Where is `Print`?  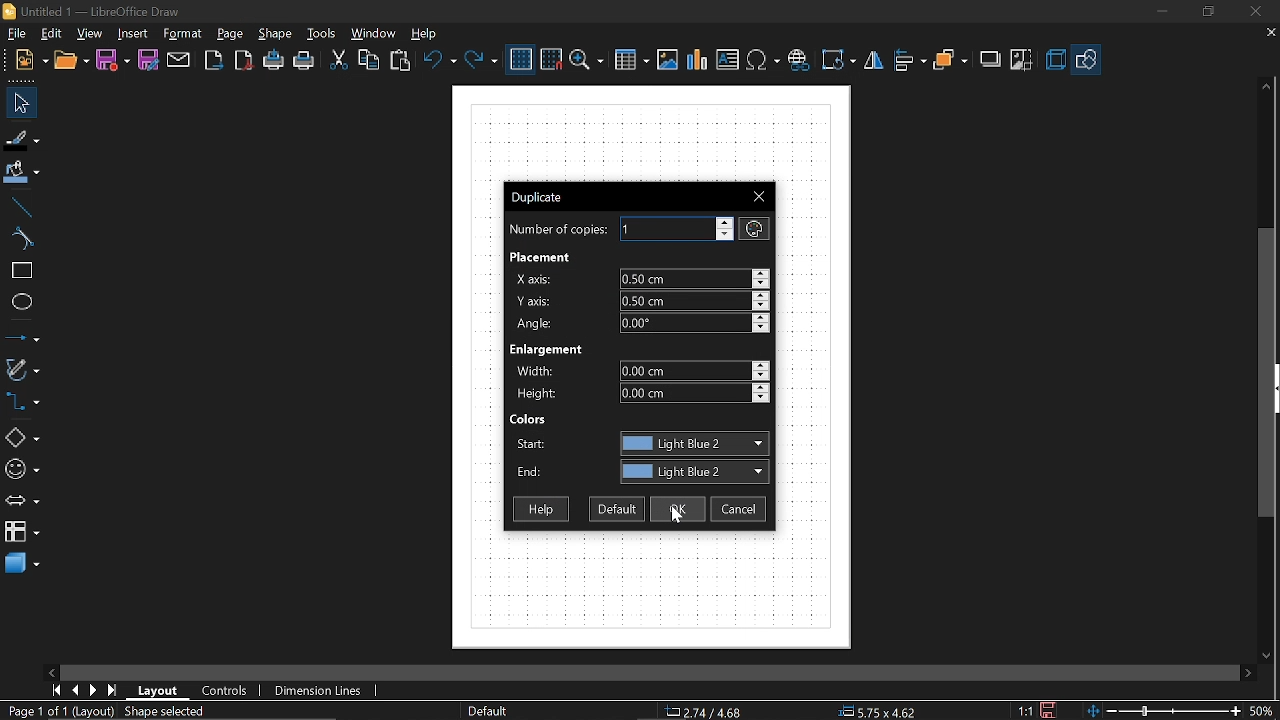 Print is located at coordinates (305, 62).